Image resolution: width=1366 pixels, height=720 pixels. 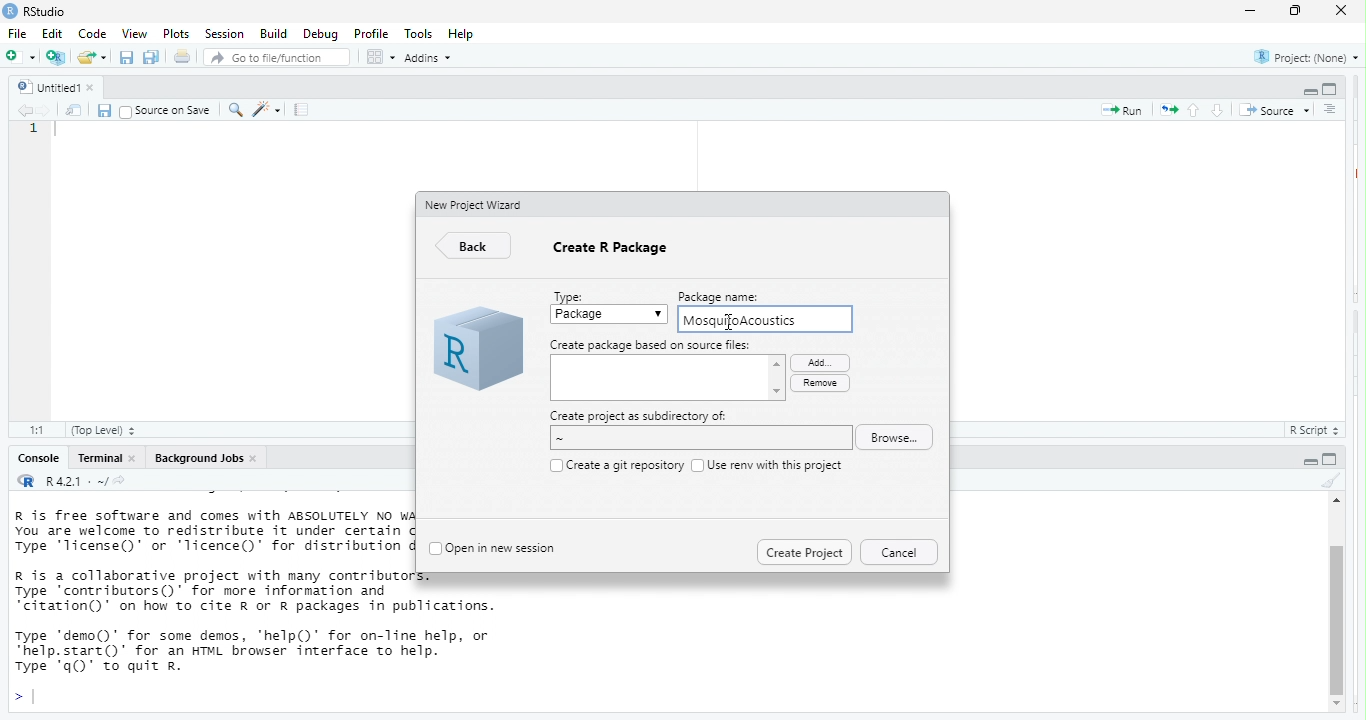 What do you see at coordinates (1334, 503) in the screenshot?
I see `scroll up` at bounding box center [1334, 503].